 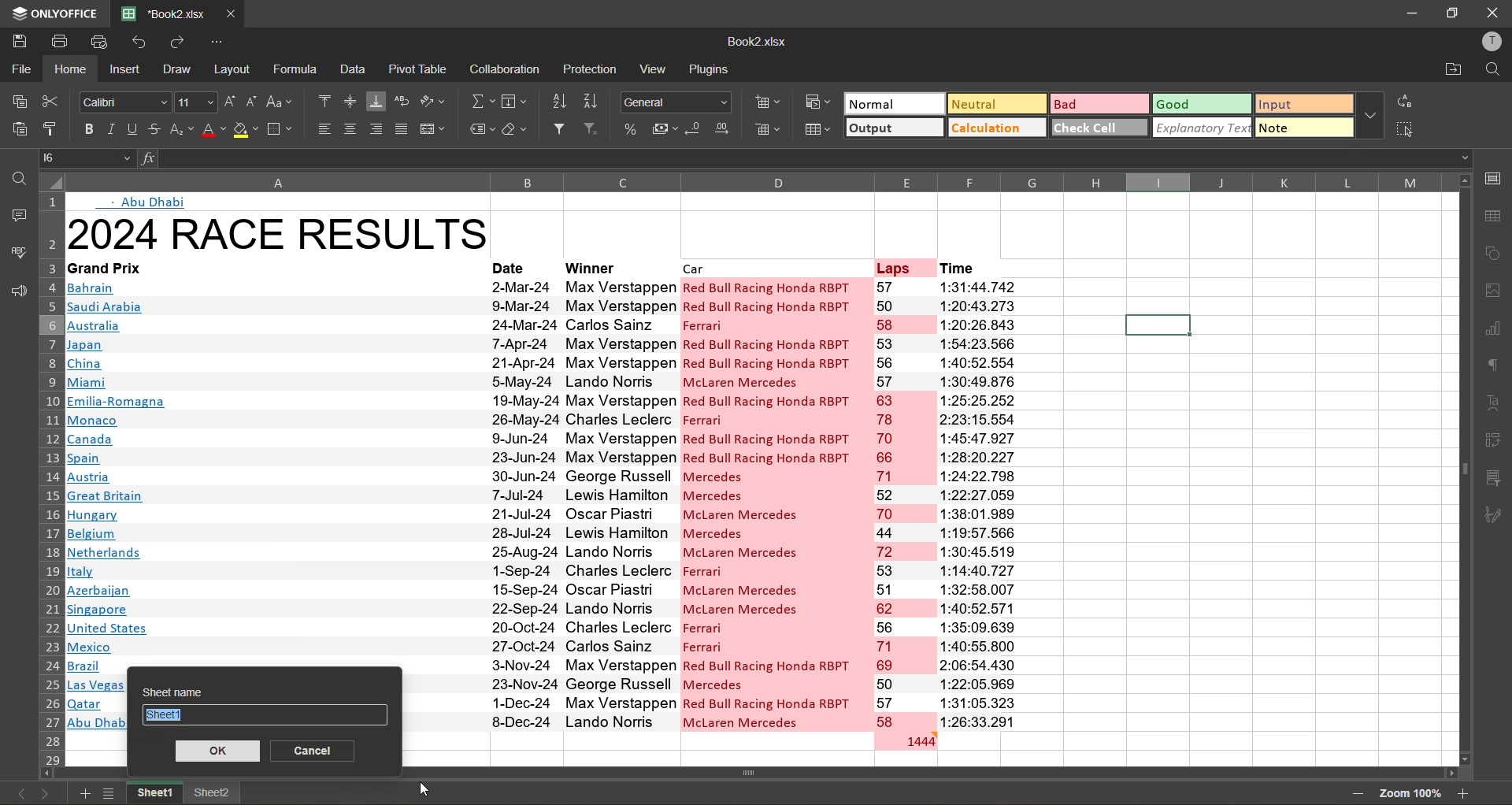 What do you see at coordinates (1497, 516) in the screenshot?
I see `signature` at bounding box center [1497, 516].